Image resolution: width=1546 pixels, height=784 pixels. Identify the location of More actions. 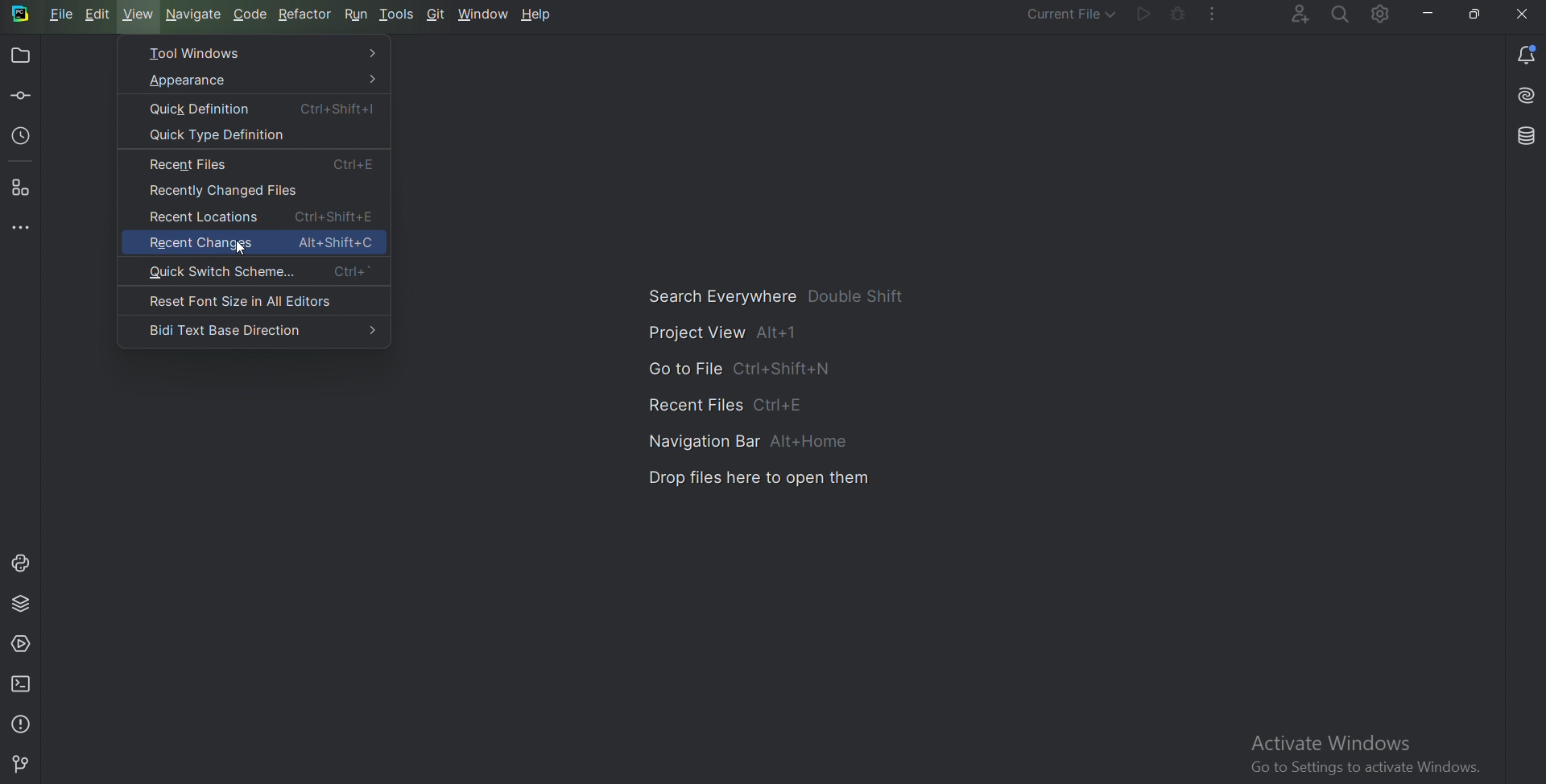
(1211, 15).